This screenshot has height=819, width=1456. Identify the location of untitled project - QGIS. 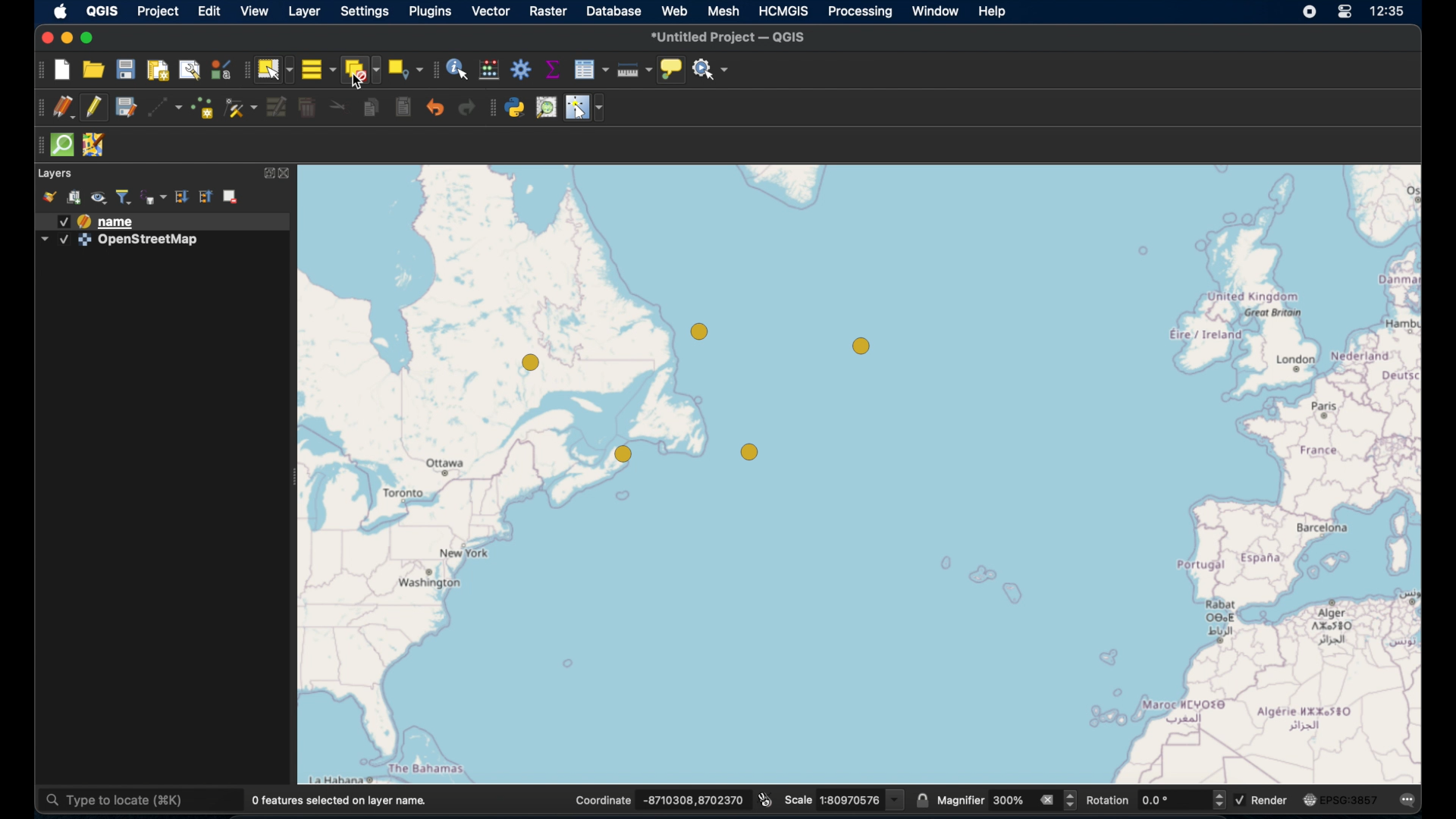
(733, 36).